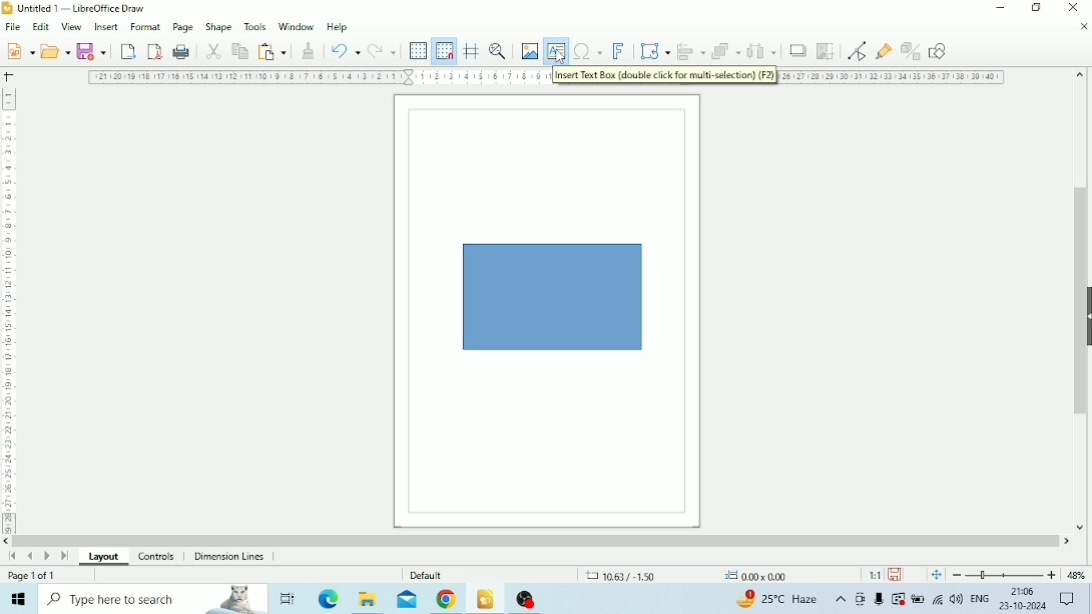  I want to click on Display Grid, so click(419, 51).